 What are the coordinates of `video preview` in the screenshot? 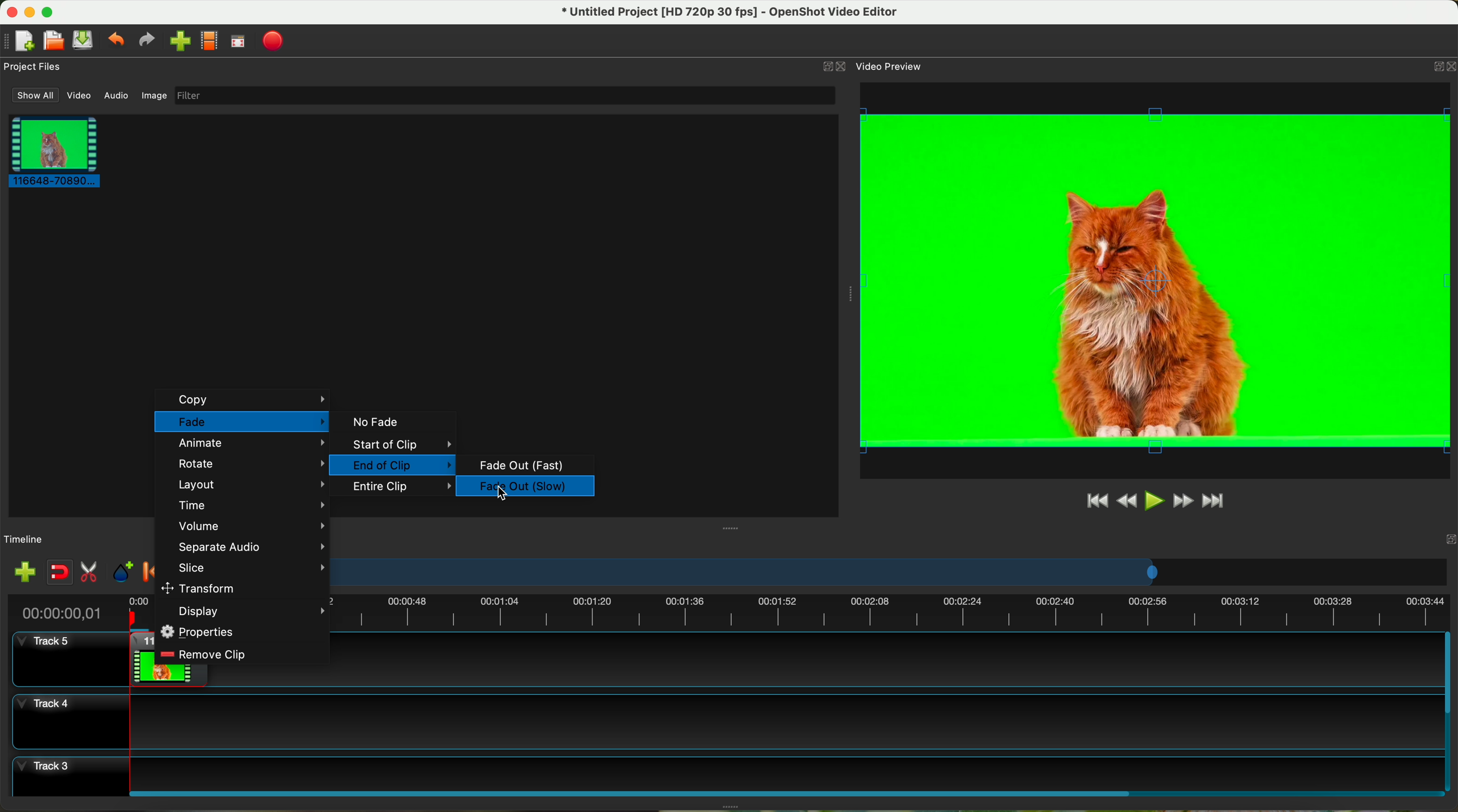 It's located at (1155, 281).